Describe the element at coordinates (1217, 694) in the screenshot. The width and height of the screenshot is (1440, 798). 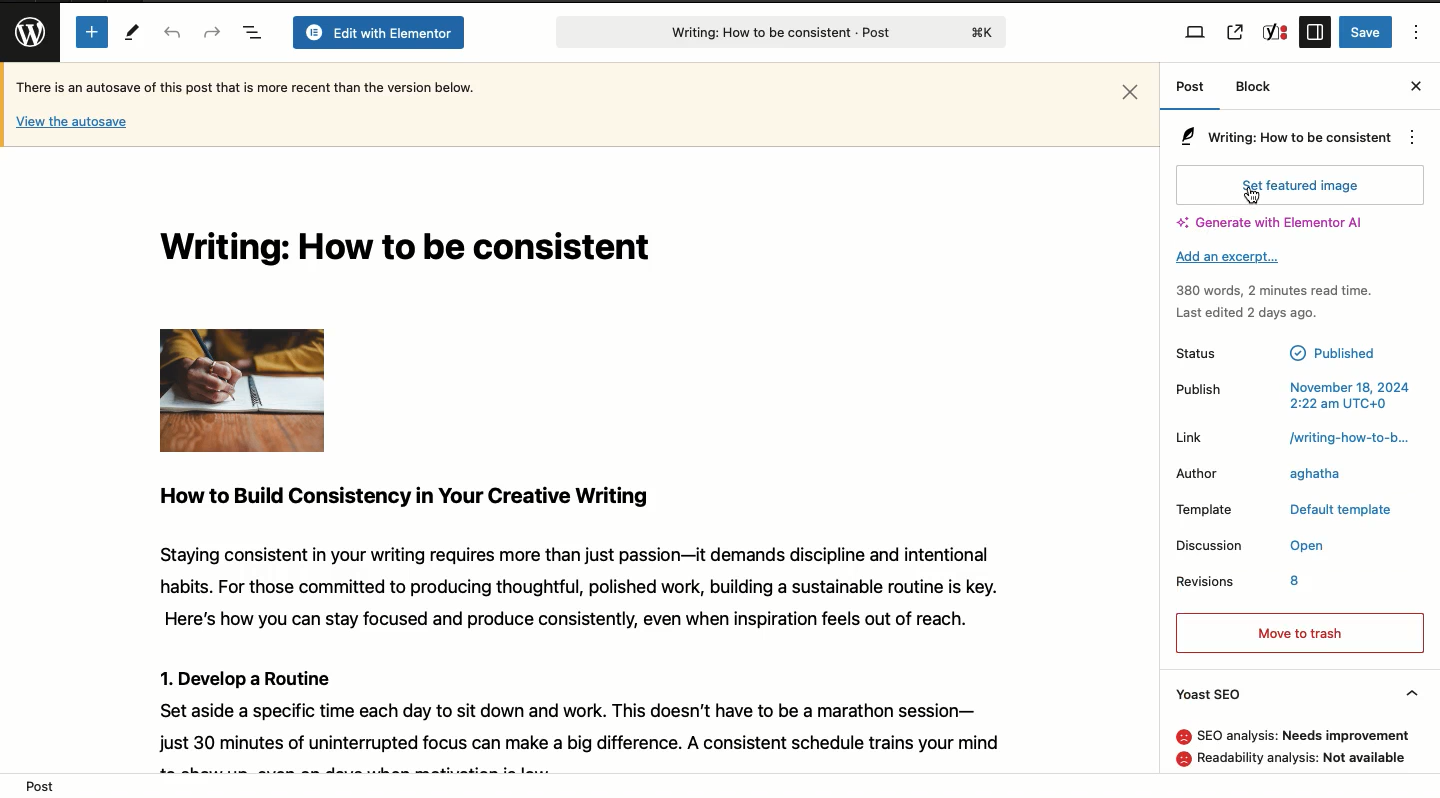
I see `Yoast SEO` at that location.